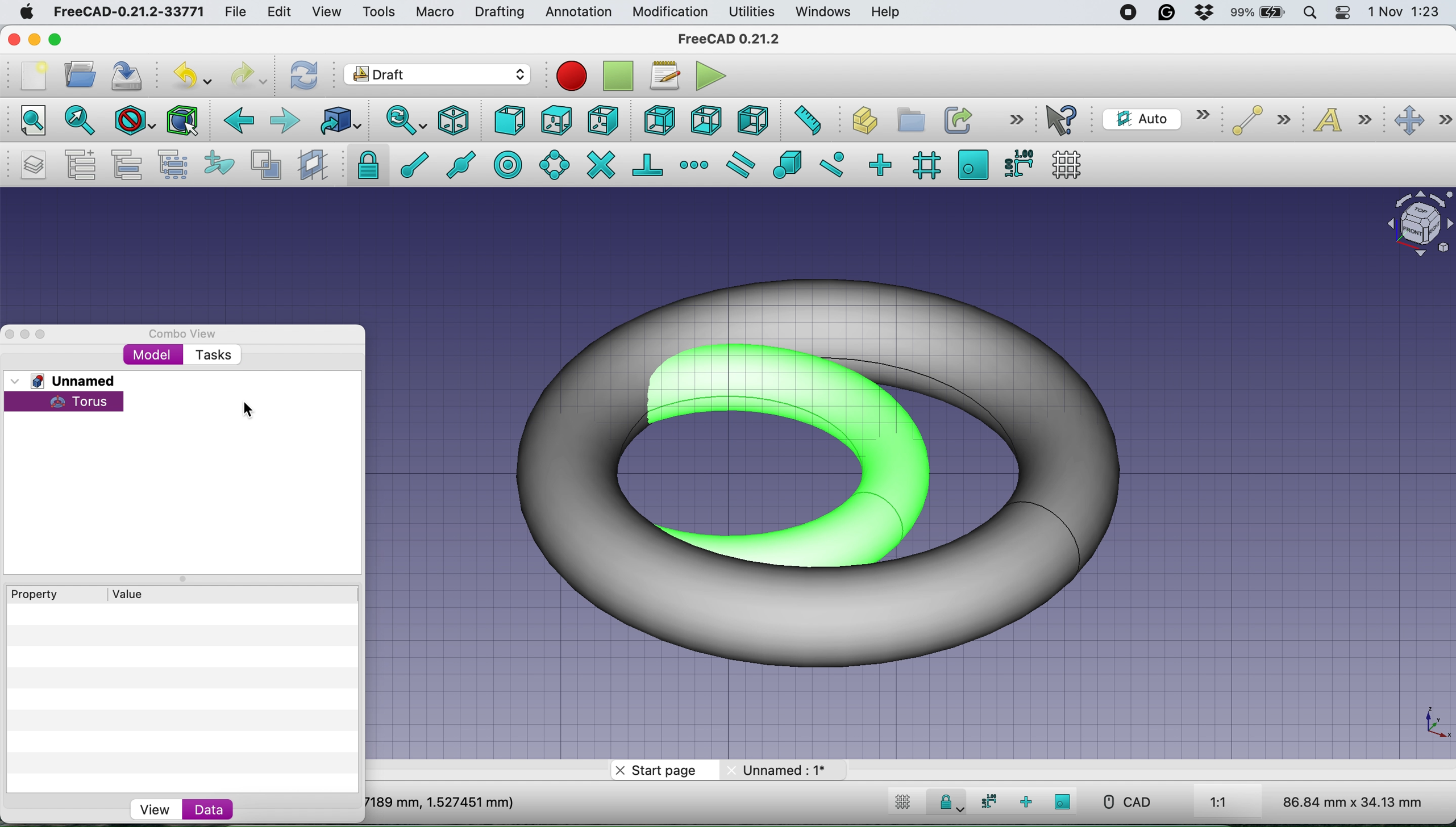  What do you see at coordinates (455, 120) in the screenshot?
I see `isometric` at bounding box center [455, 120].